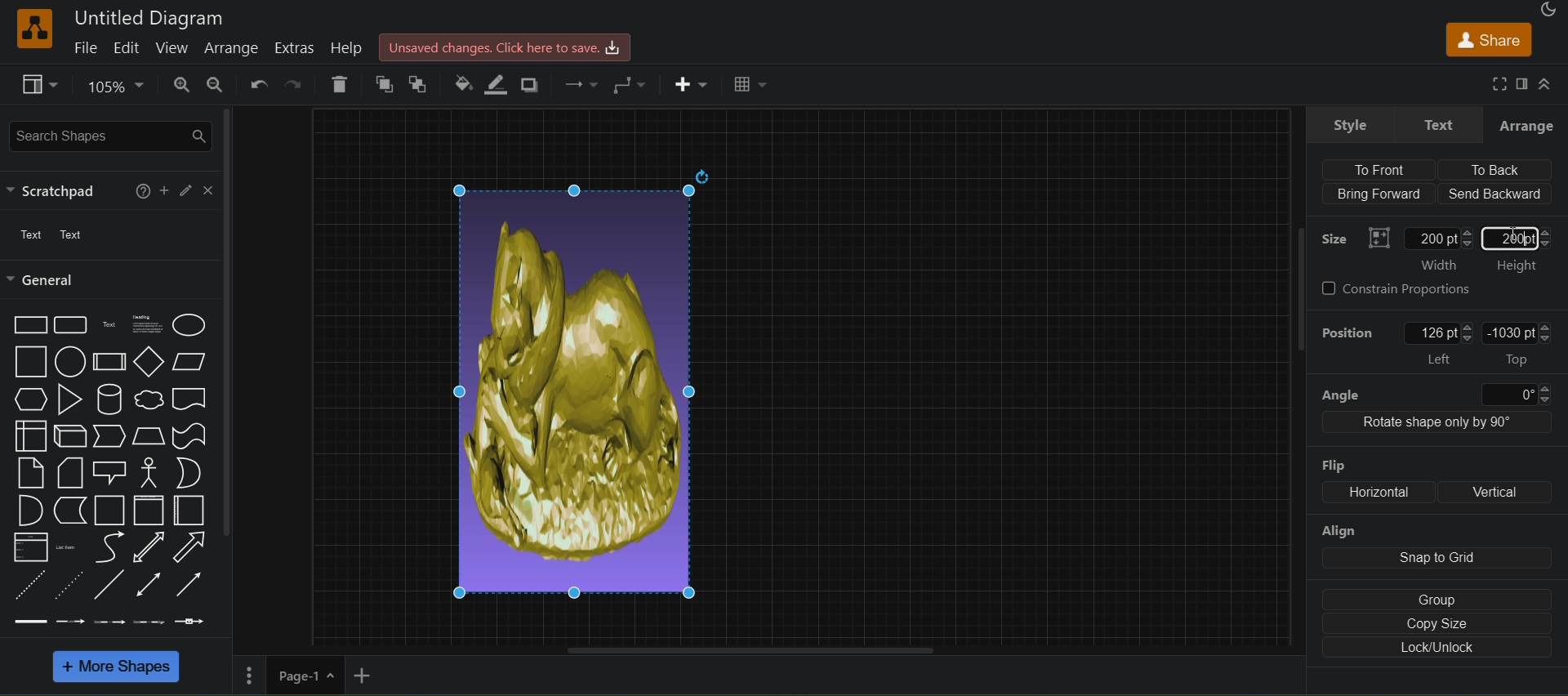 This screenshot has height=696, width=1568. What do you see at coordinates (462, 85) in the screenshot?
I see `fill color` at bounding box center [462, 85].